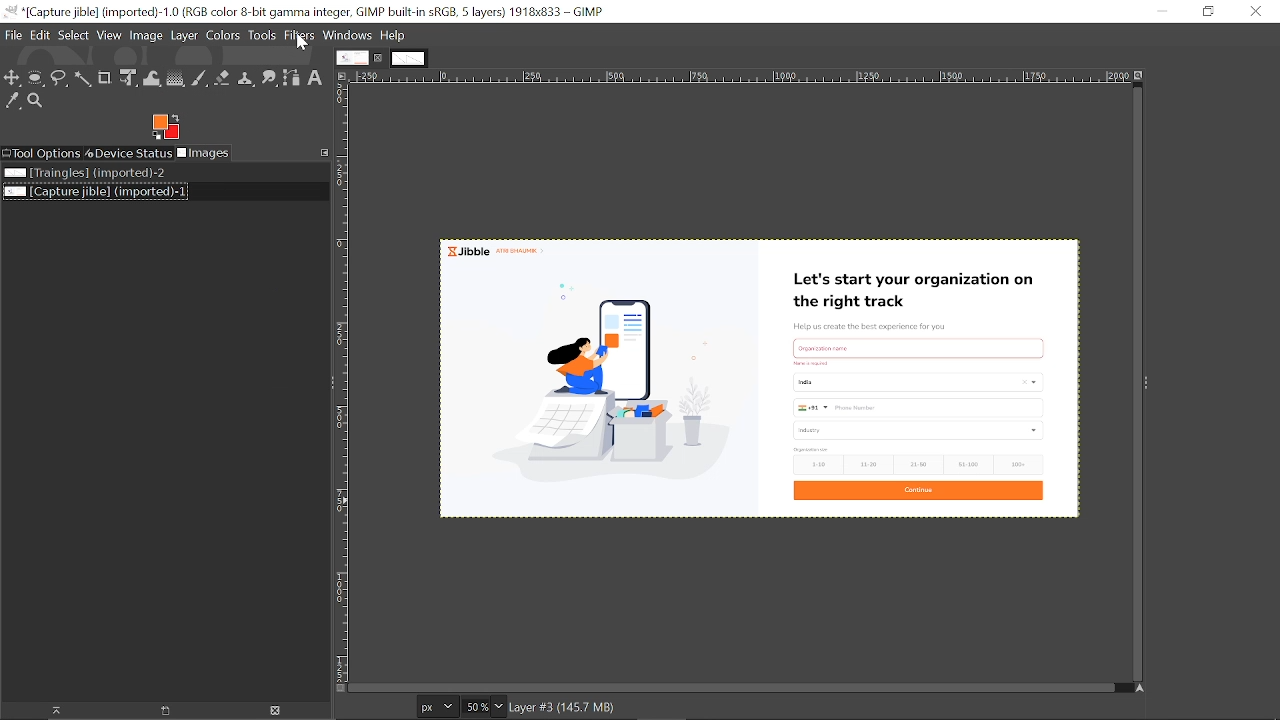  Describe the element at coordinates (1139, 75) in the screenshot. I see `Zoon image when window size changes` at that location.